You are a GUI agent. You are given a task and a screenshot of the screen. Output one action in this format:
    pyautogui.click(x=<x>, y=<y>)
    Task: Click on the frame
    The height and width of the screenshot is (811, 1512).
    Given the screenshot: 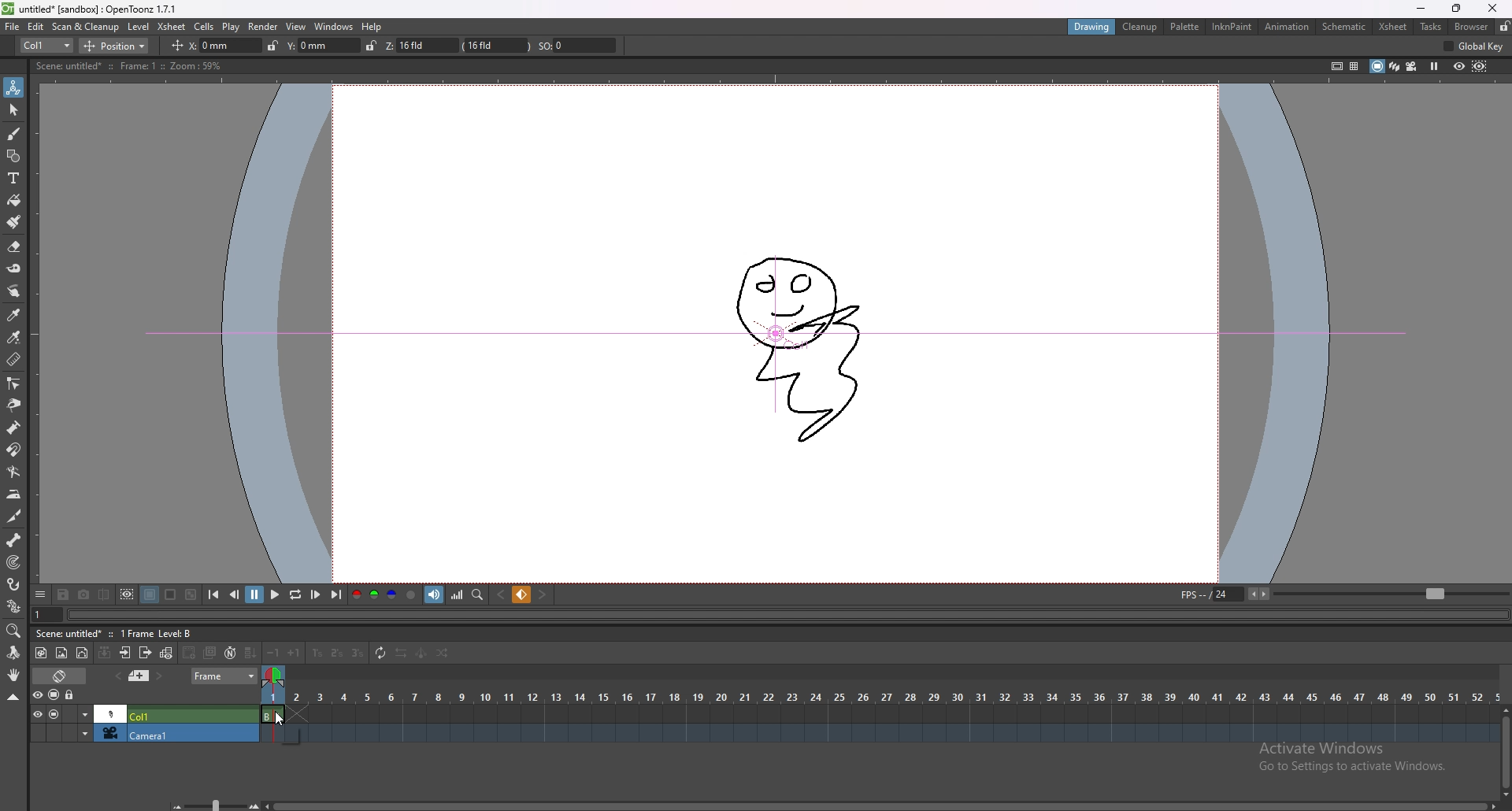 What is the action you would take?
    pyautogui.click(x=224, y=676)
    